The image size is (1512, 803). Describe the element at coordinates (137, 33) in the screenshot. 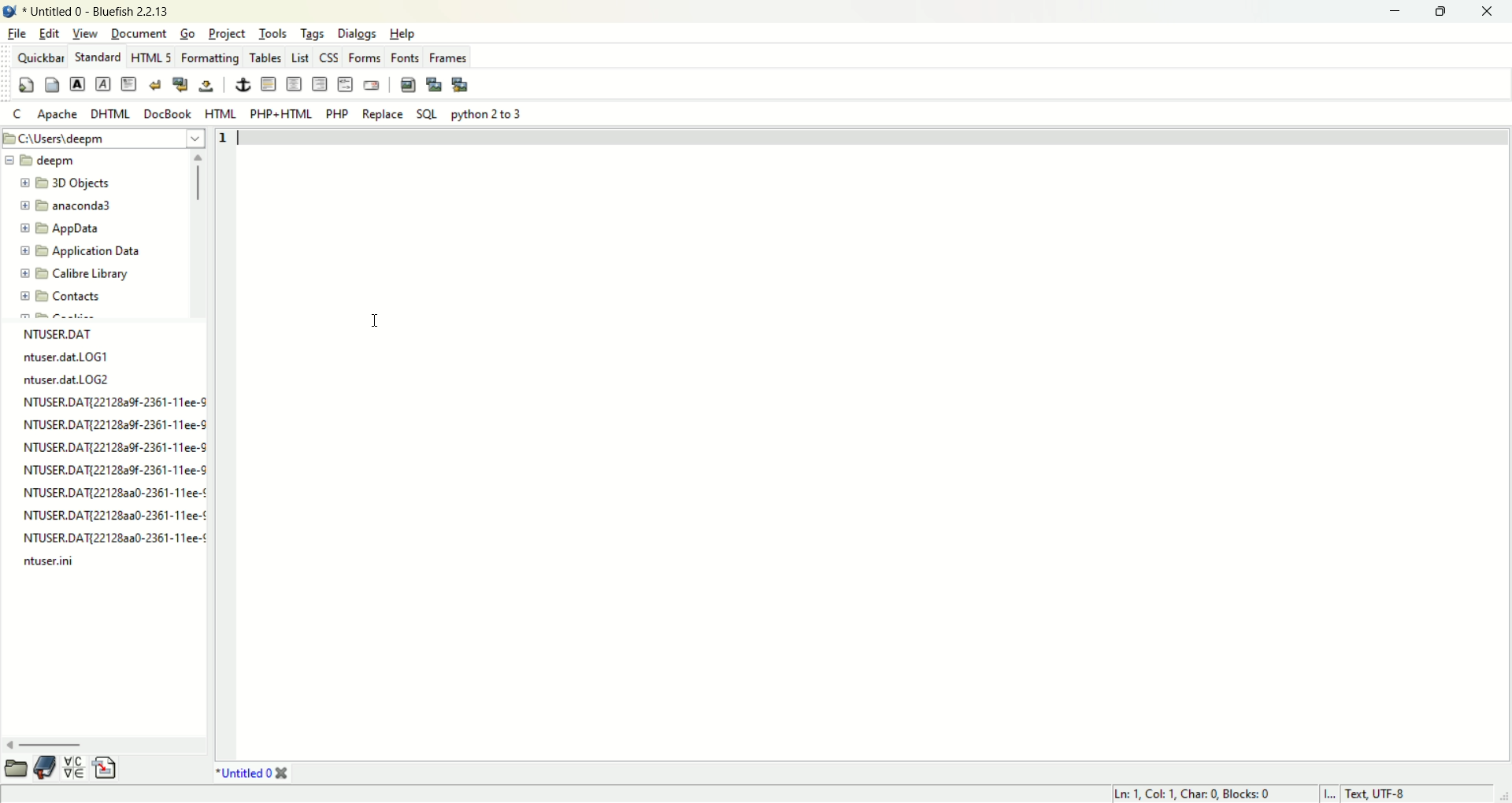

I see `document` at that location.